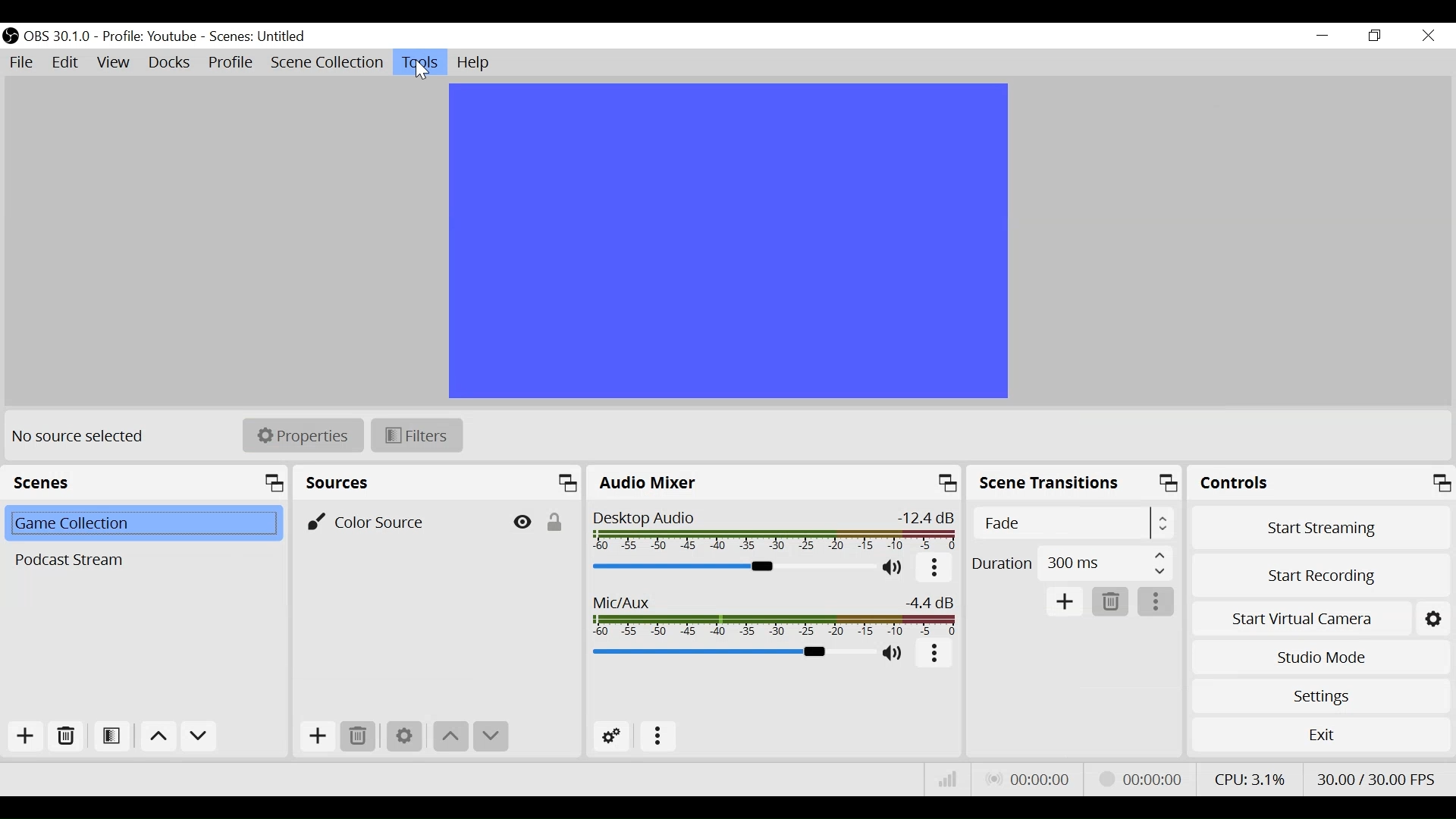 The image size is (1456, 819). What do you see at coordinates (731, 567) in the screenshot?
I see `Audio Mixer Slider` at bounding box center [731, 567].